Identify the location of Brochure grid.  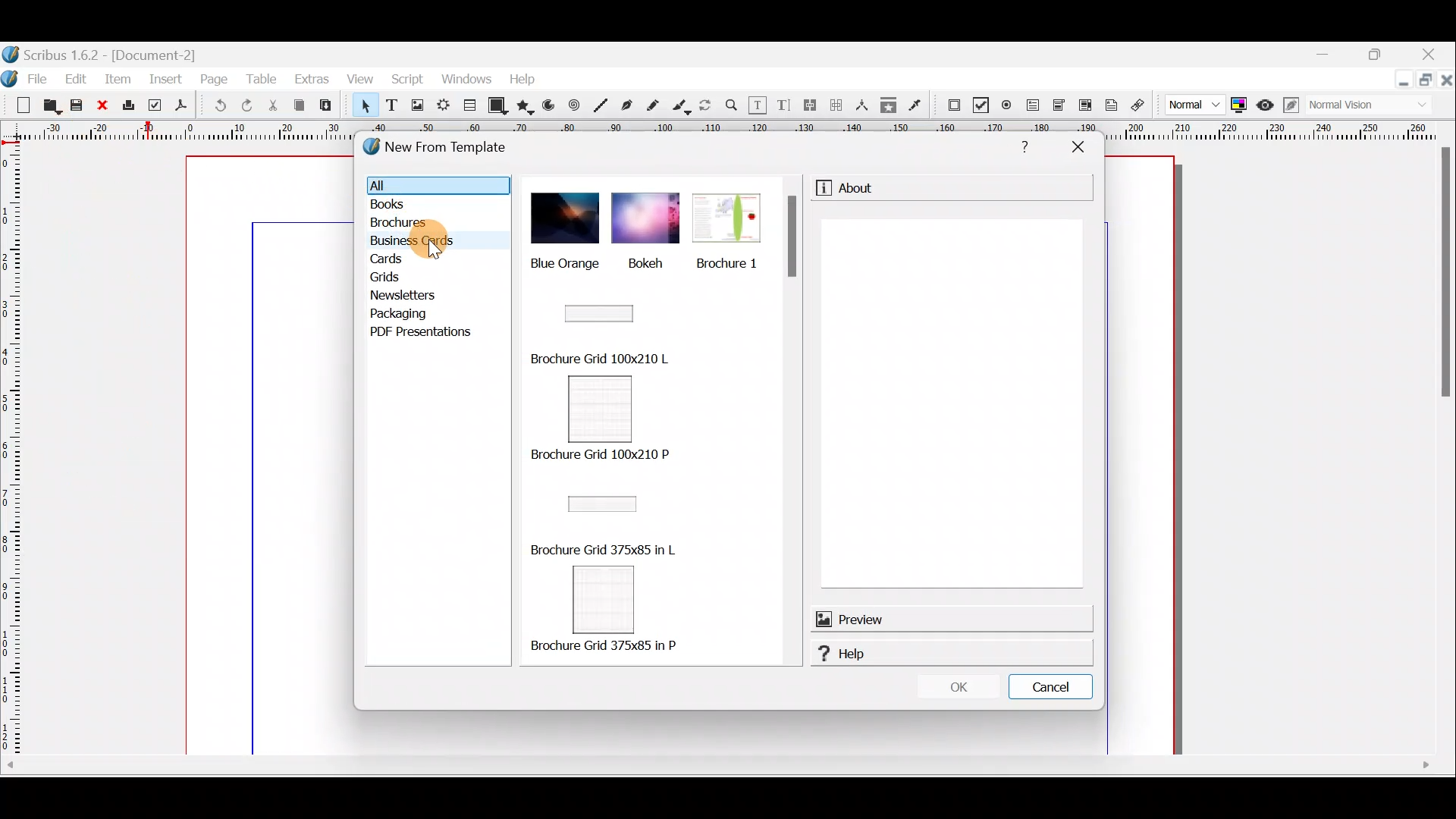
(606, 598).